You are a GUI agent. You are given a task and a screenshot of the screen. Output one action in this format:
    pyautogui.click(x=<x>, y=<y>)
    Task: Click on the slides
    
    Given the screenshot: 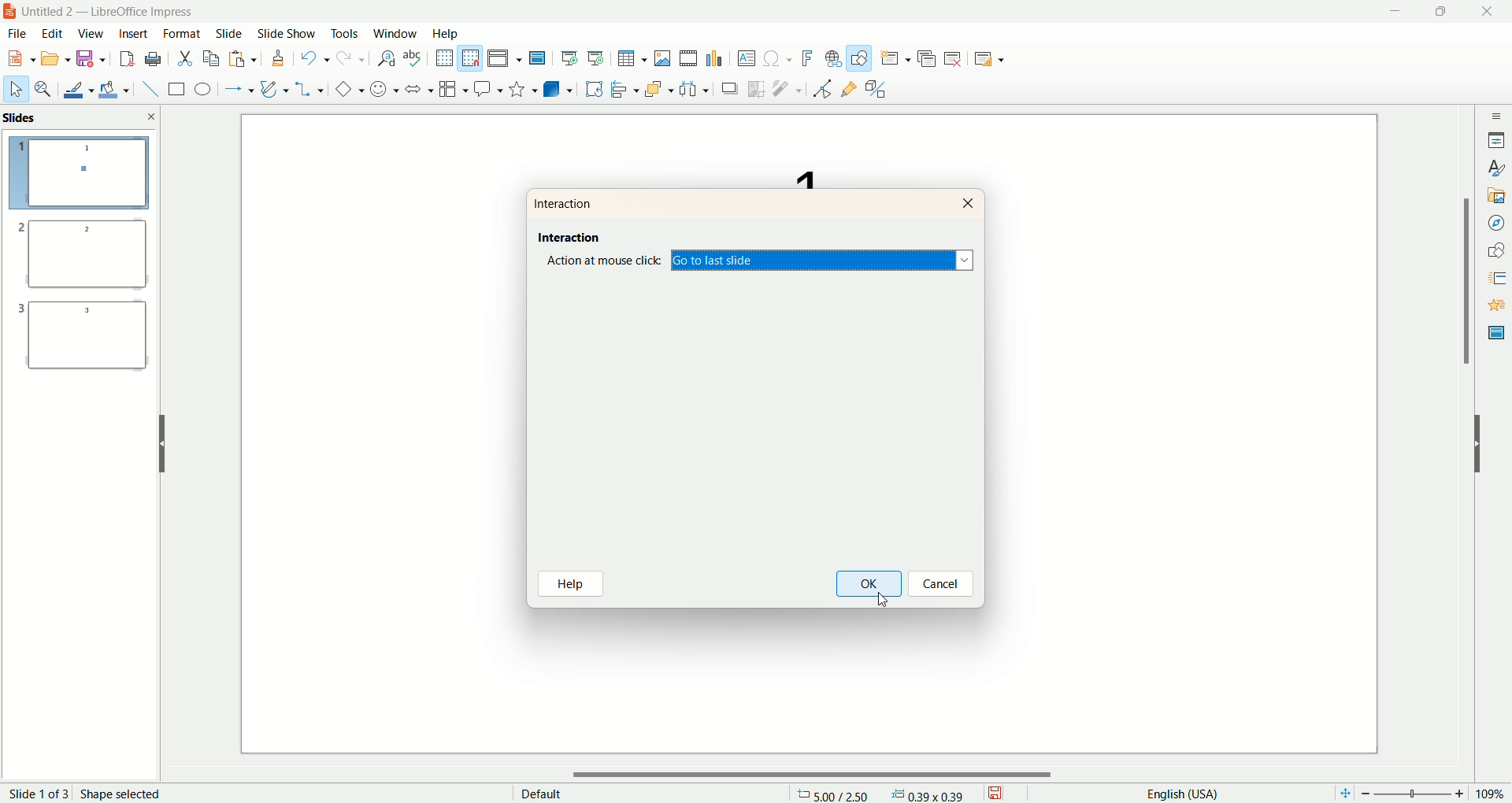 What is the action you would take?
    pyautogui.click(x=24, y=118)
    